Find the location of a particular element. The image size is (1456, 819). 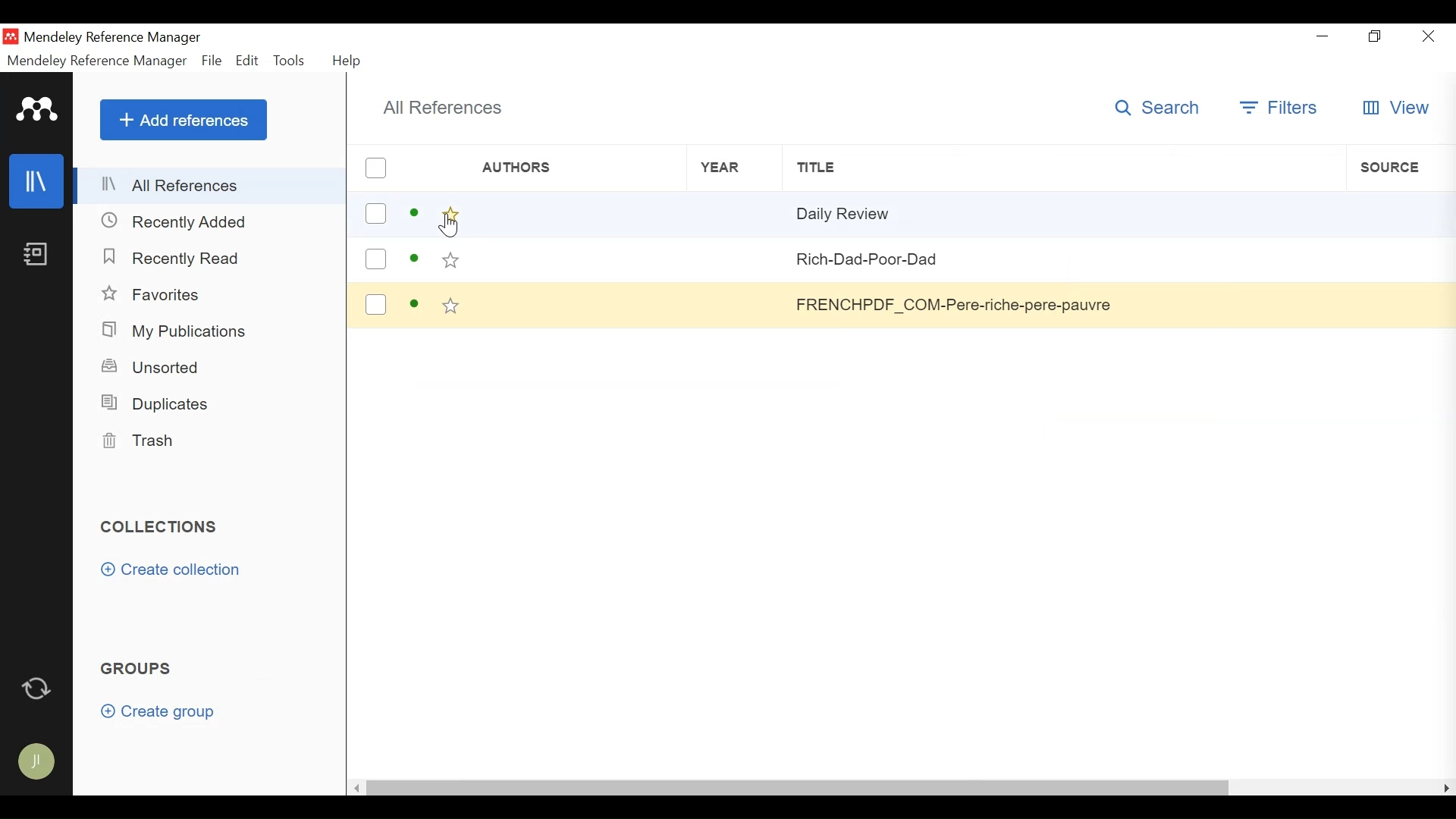

All References is located at coordinates (210, 186).